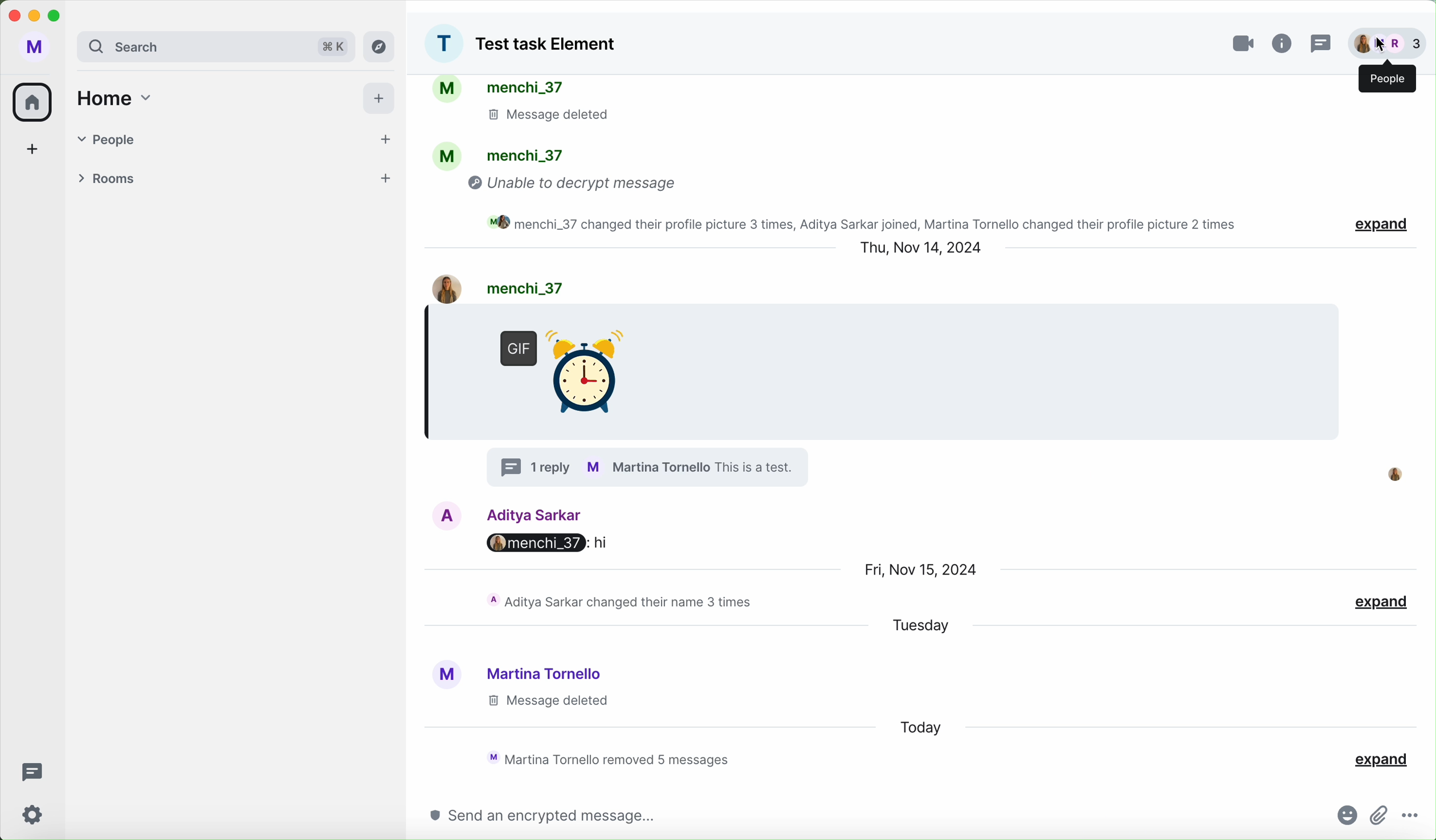  I want to click on info, so click(1284, 43).